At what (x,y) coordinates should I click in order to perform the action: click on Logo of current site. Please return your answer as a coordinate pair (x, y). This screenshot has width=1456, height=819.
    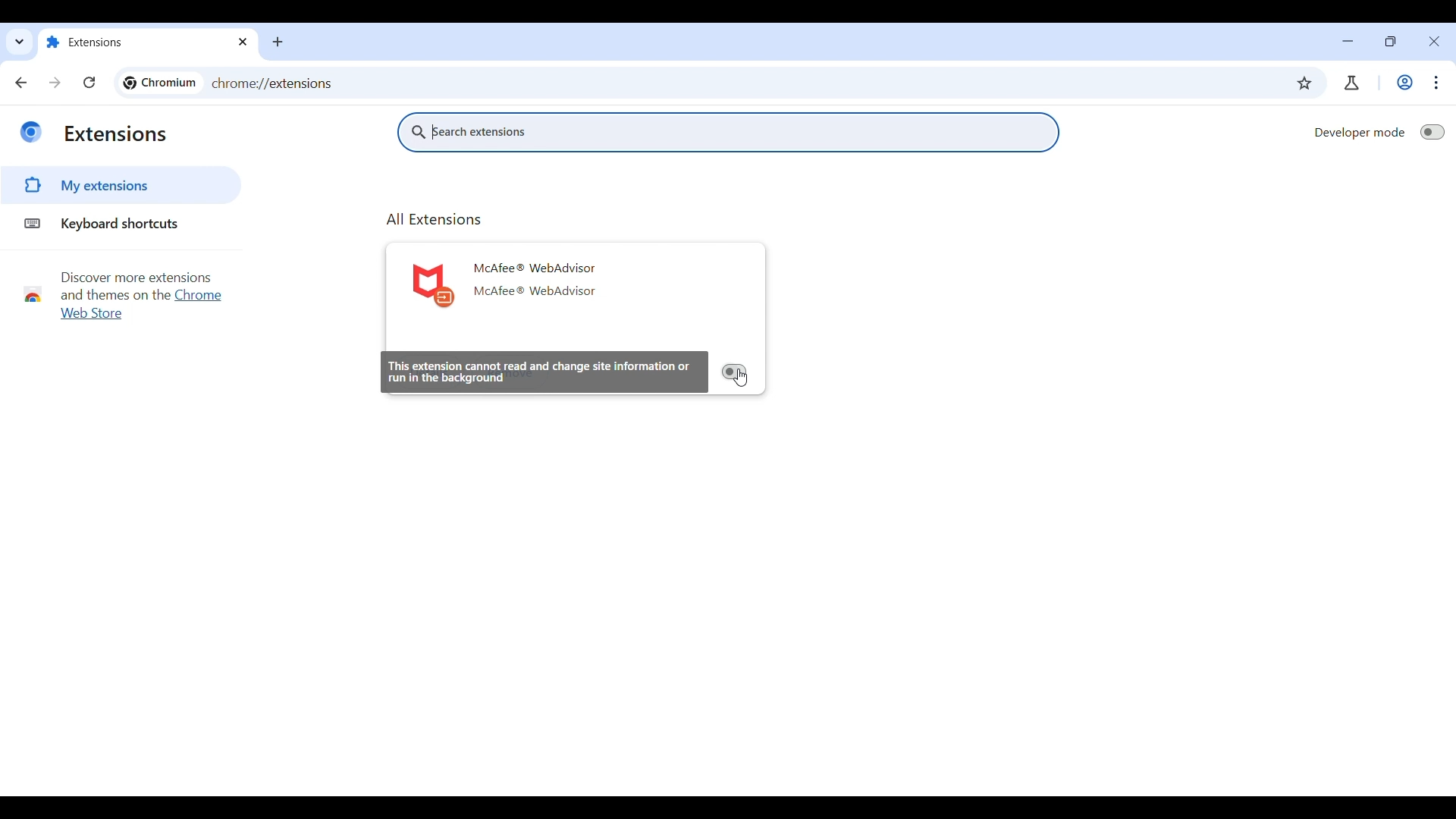
    Looking at the image, I should click on (30, 132).